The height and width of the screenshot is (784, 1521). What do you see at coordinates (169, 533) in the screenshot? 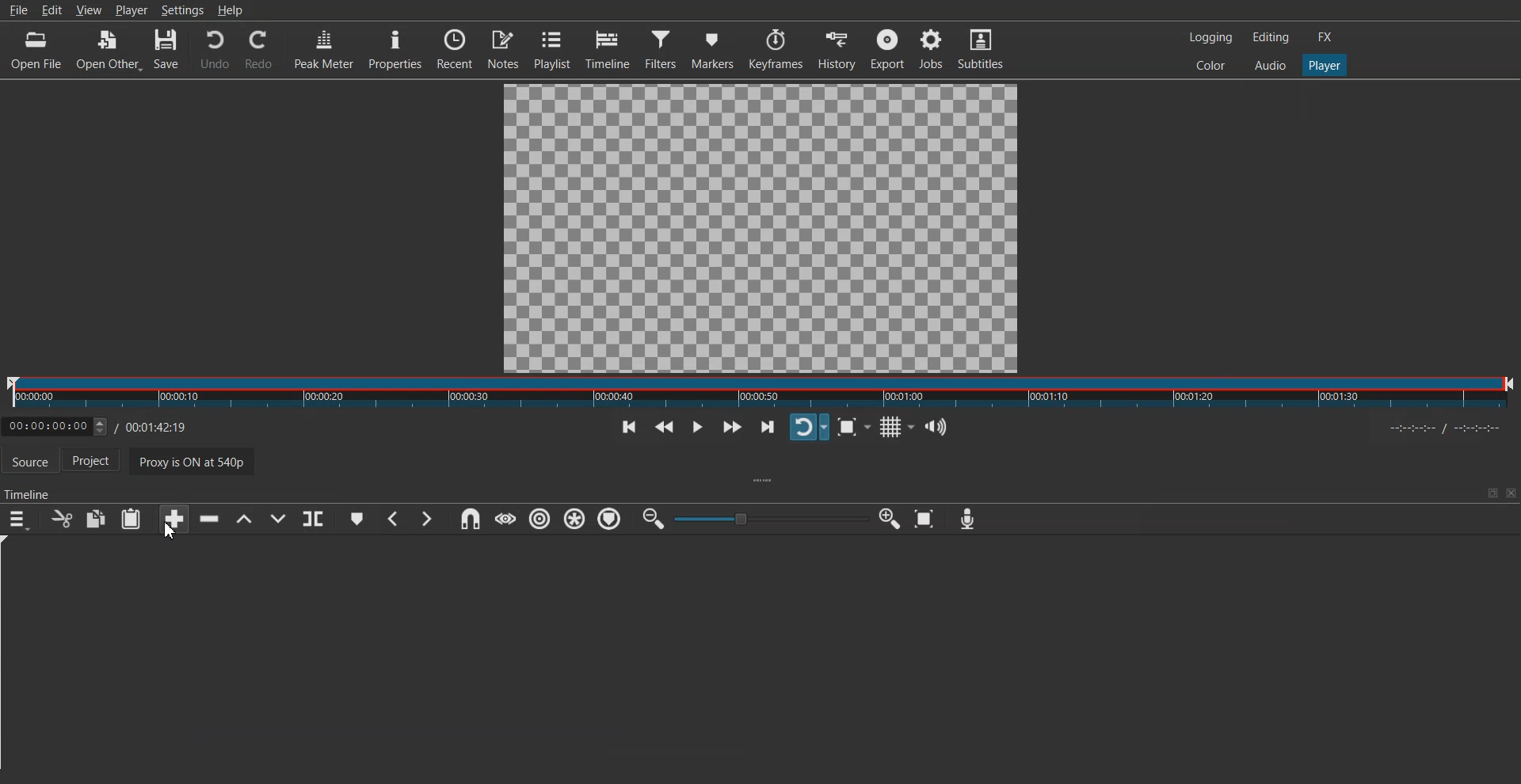
I see `cursor` at bounding box center [169, 533].